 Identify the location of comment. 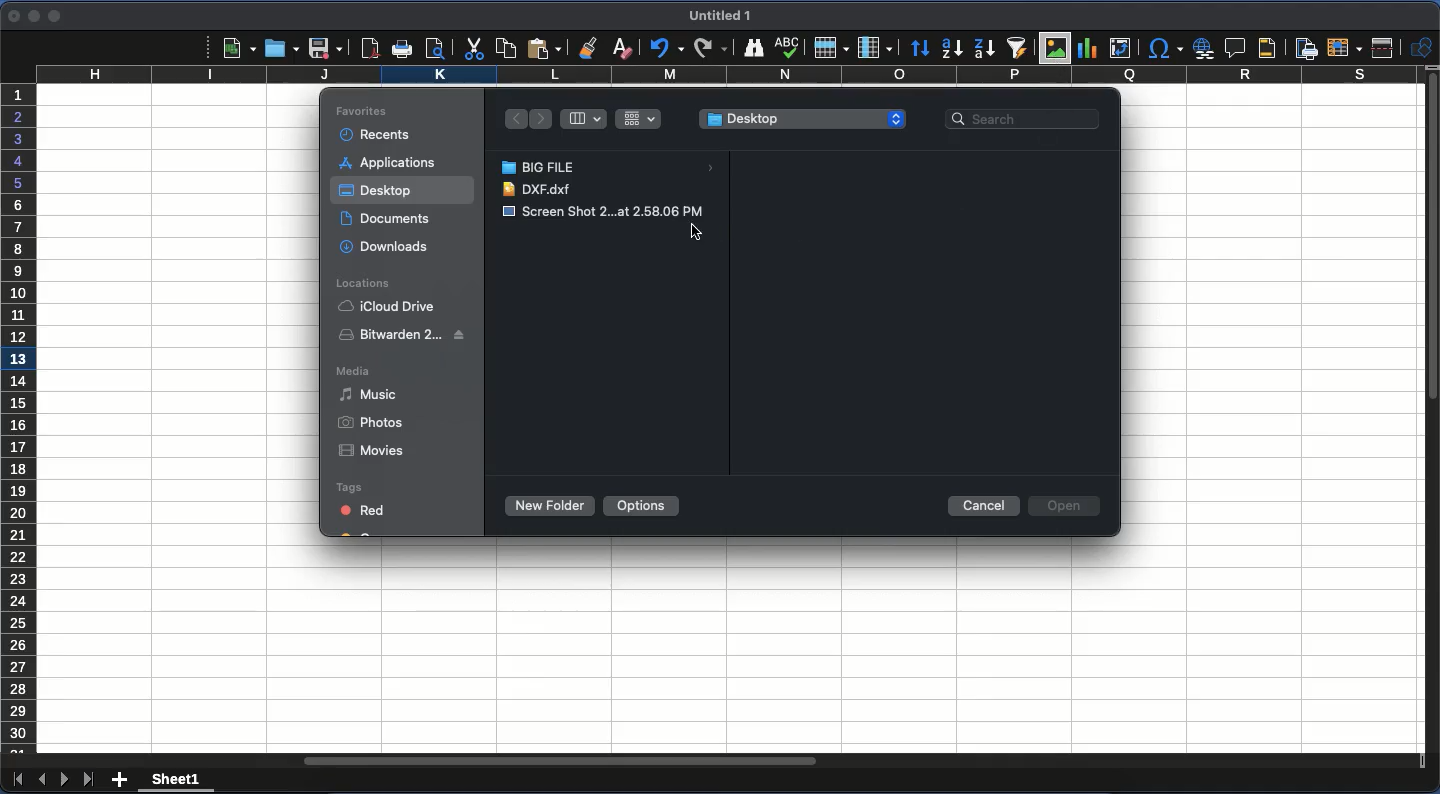
(1236, 48).